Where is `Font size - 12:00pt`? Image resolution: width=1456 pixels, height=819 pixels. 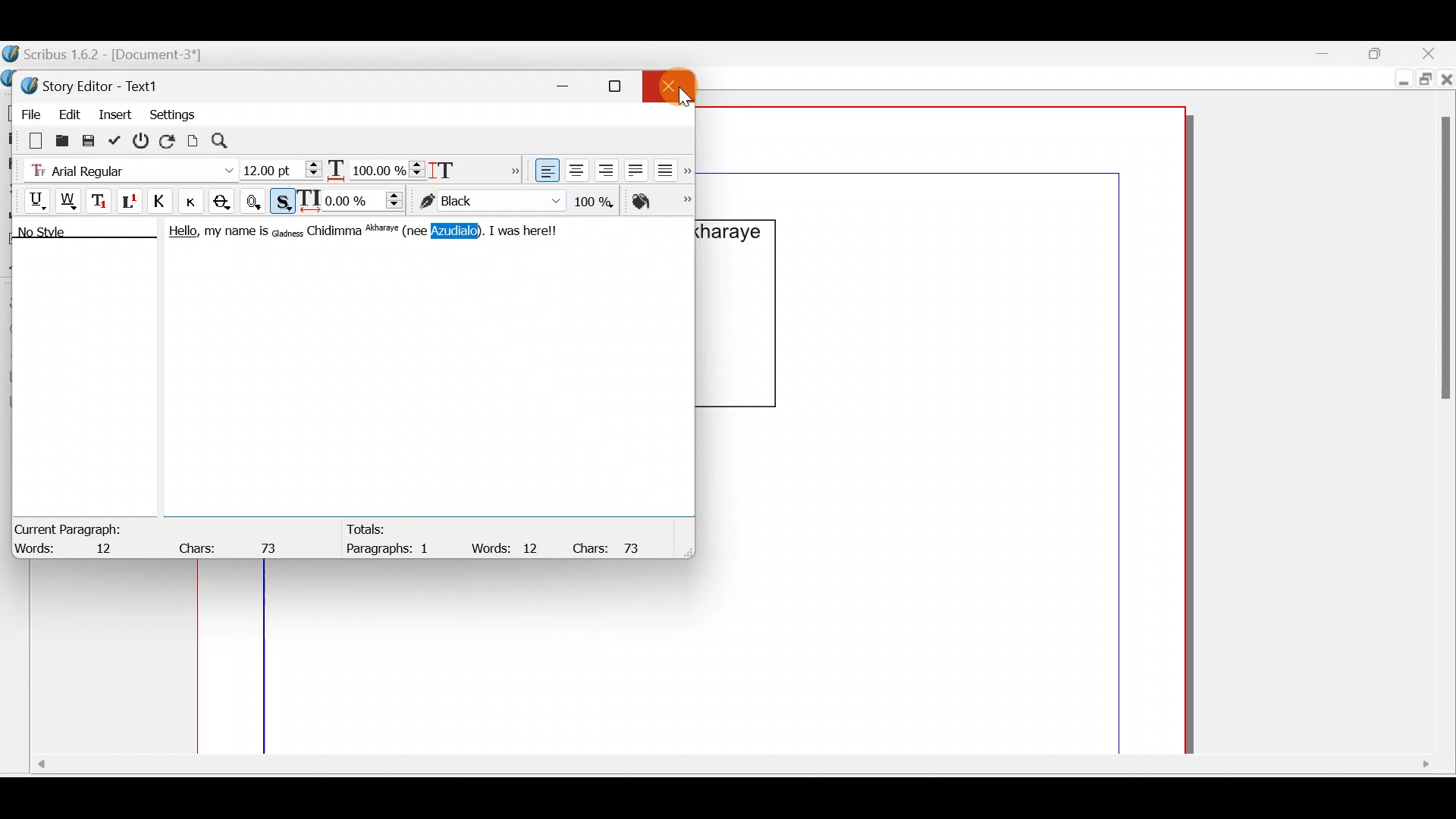 Font size - 12:00pt is located at coordinates (283, 170).